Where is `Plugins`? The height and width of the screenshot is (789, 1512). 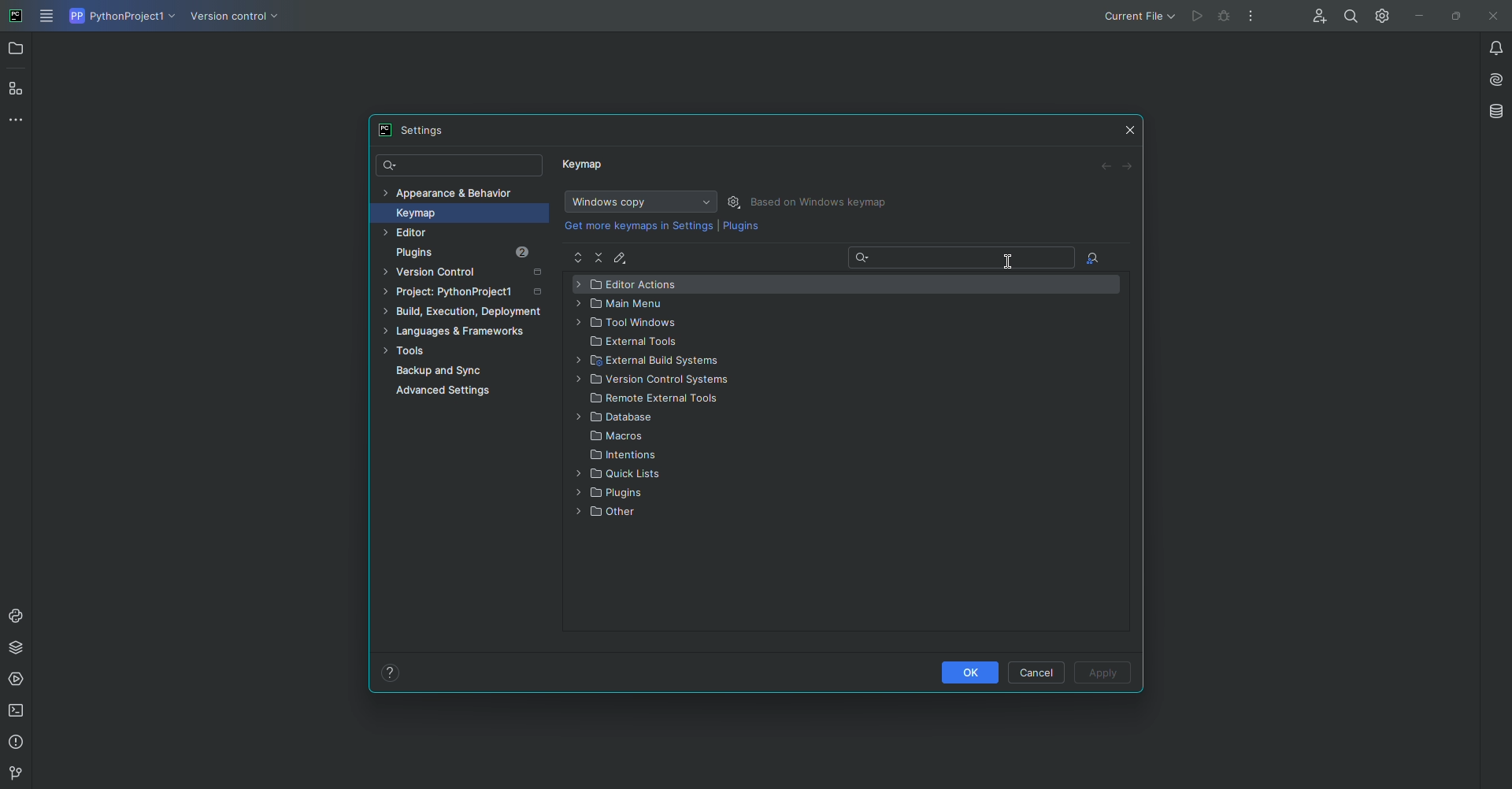
Plugins is located at coordinates (474, 253).